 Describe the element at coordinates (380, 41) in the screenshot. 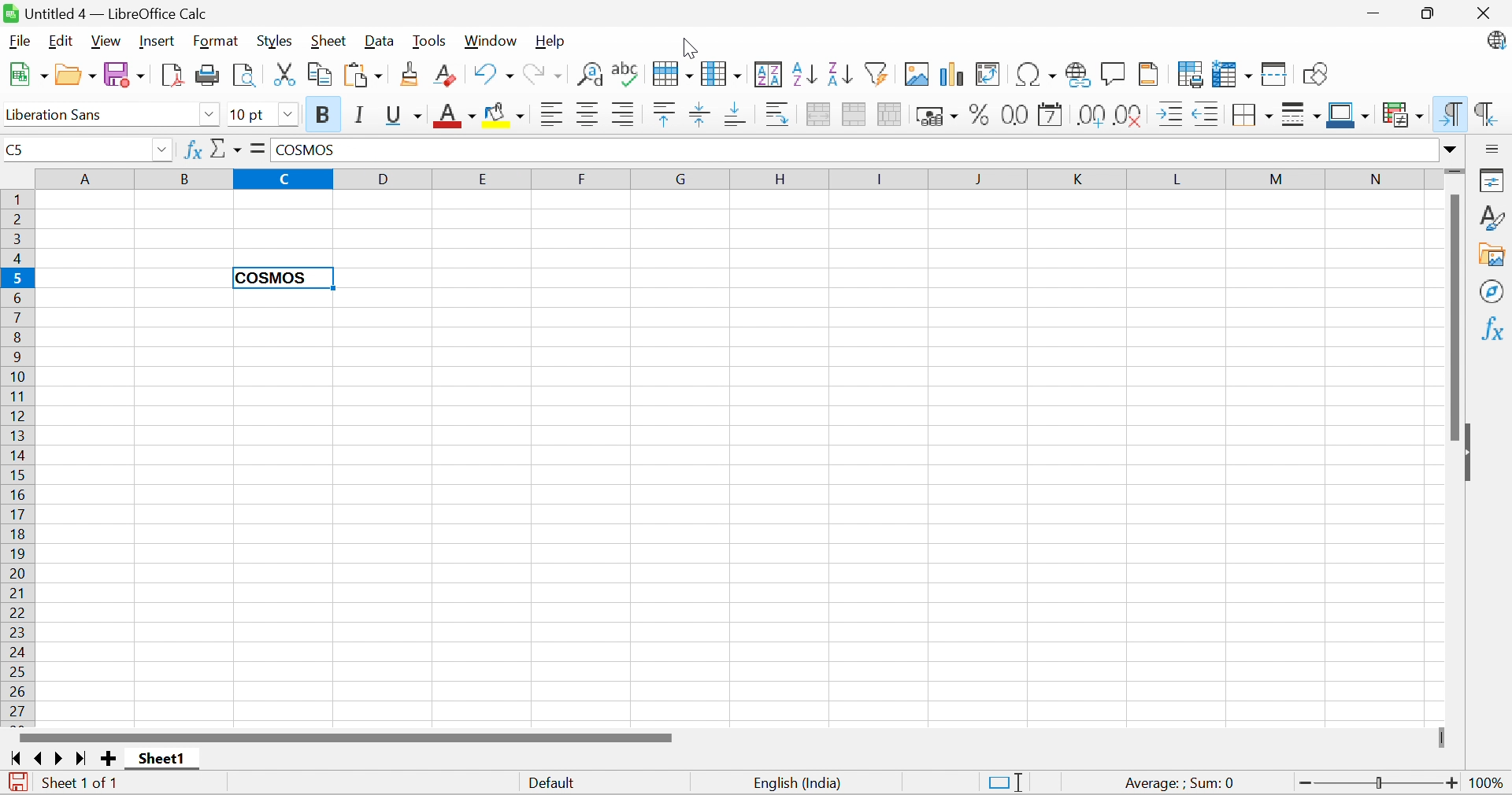

I see `Data` at that location.